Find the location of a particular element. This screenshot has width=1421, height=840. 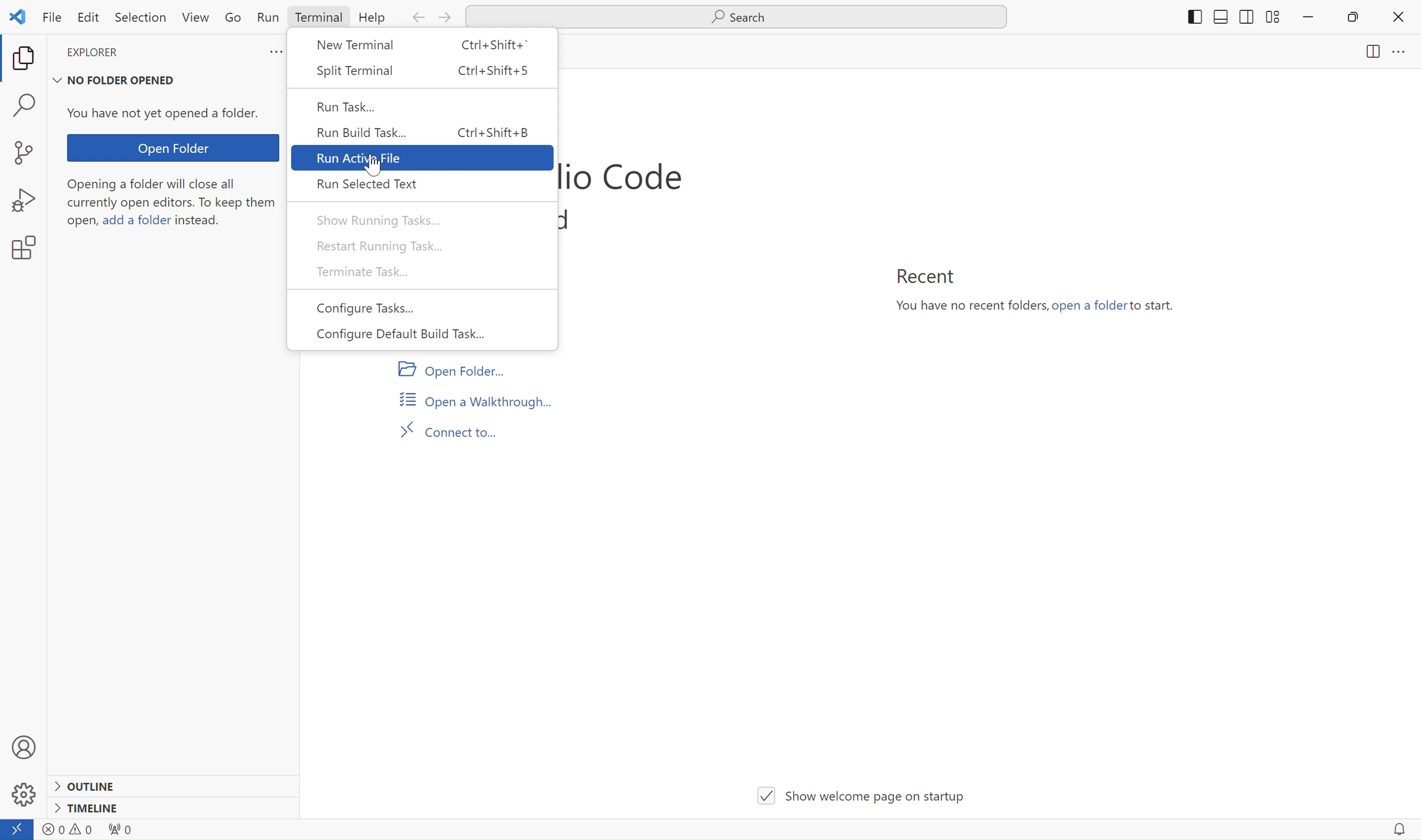

run build task is located at coordinates (424, 132).